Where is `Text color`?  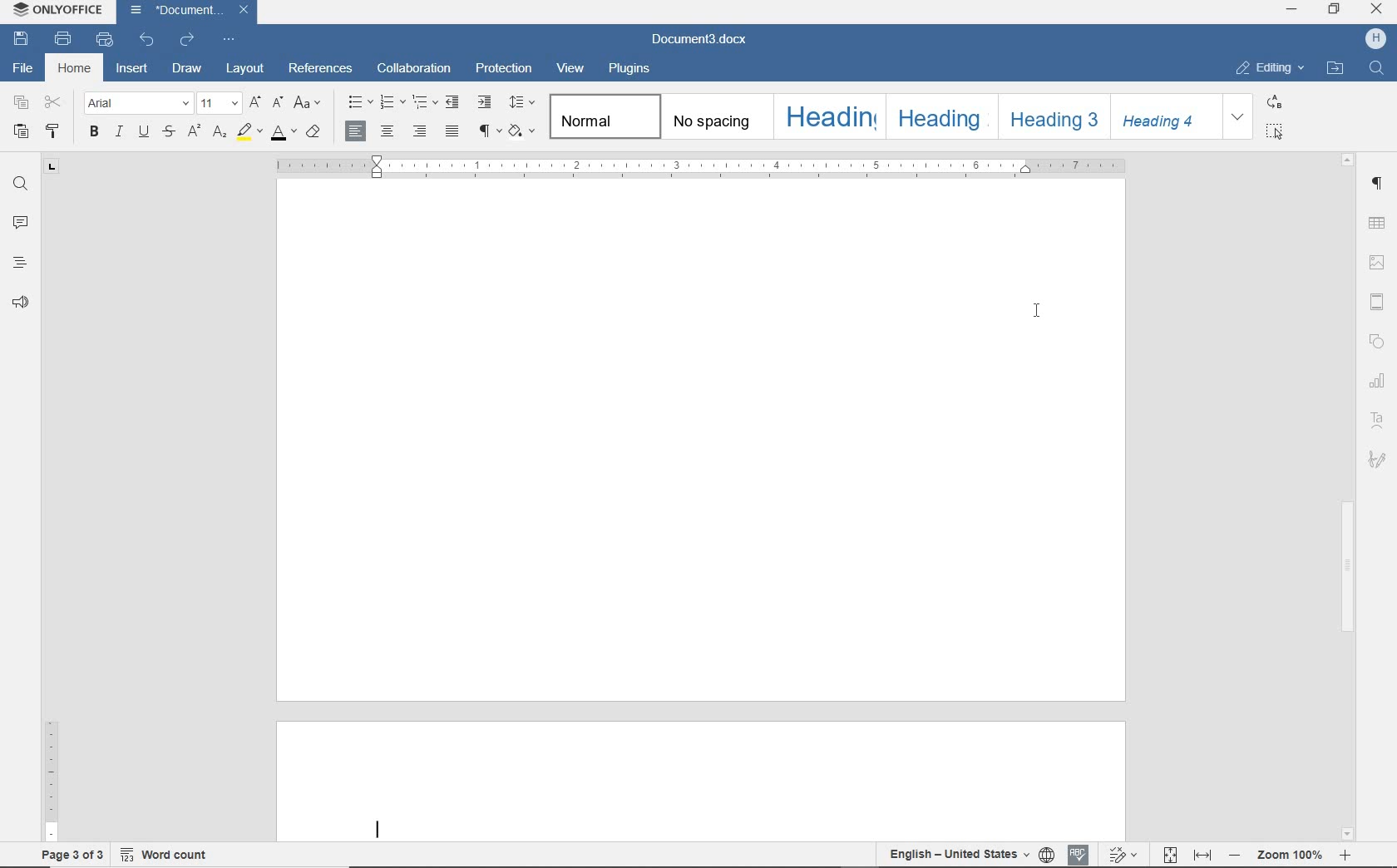 Text color is located at coordinates (283, 134).